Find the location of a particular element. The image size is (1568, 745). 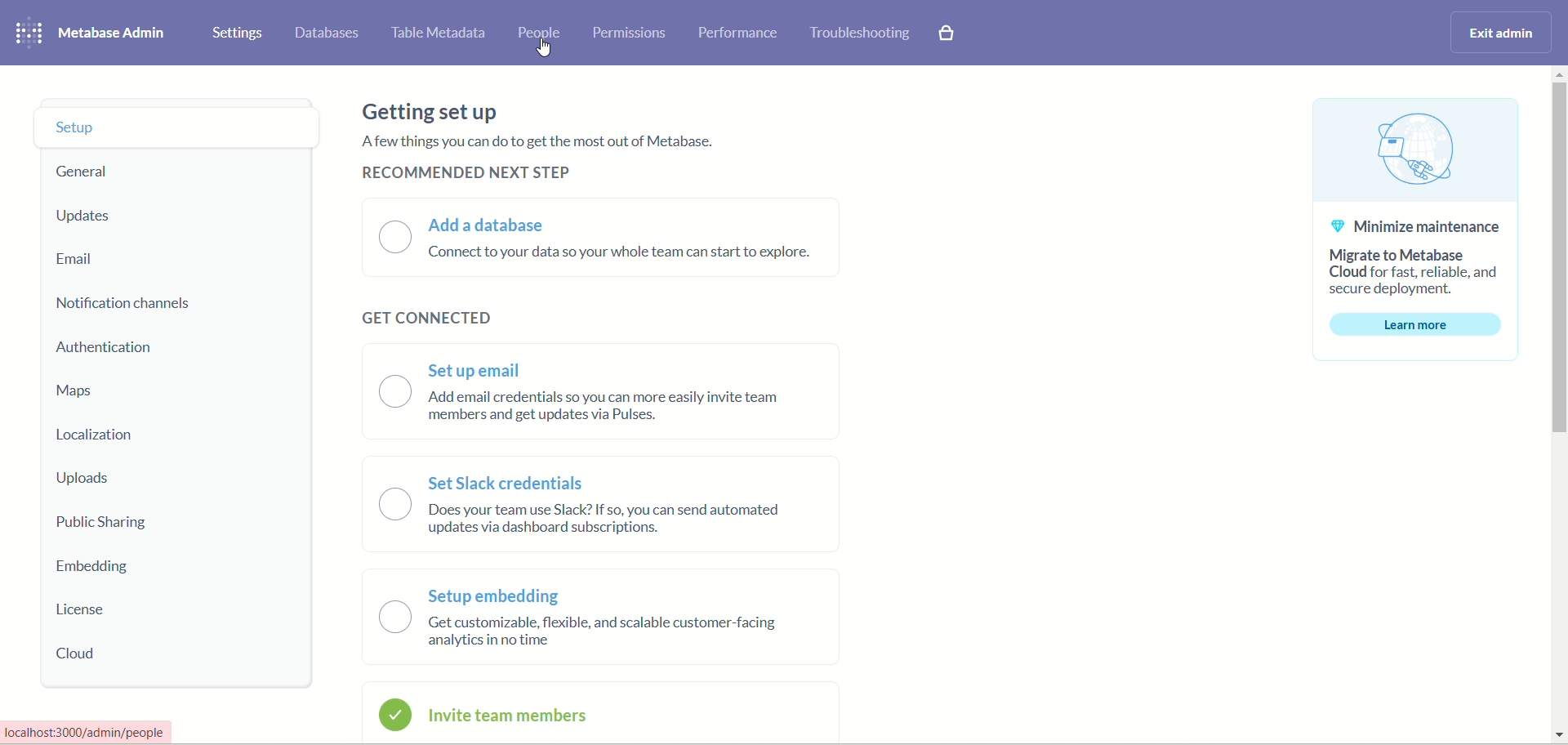

table meta is located at coordinates (443, 34).